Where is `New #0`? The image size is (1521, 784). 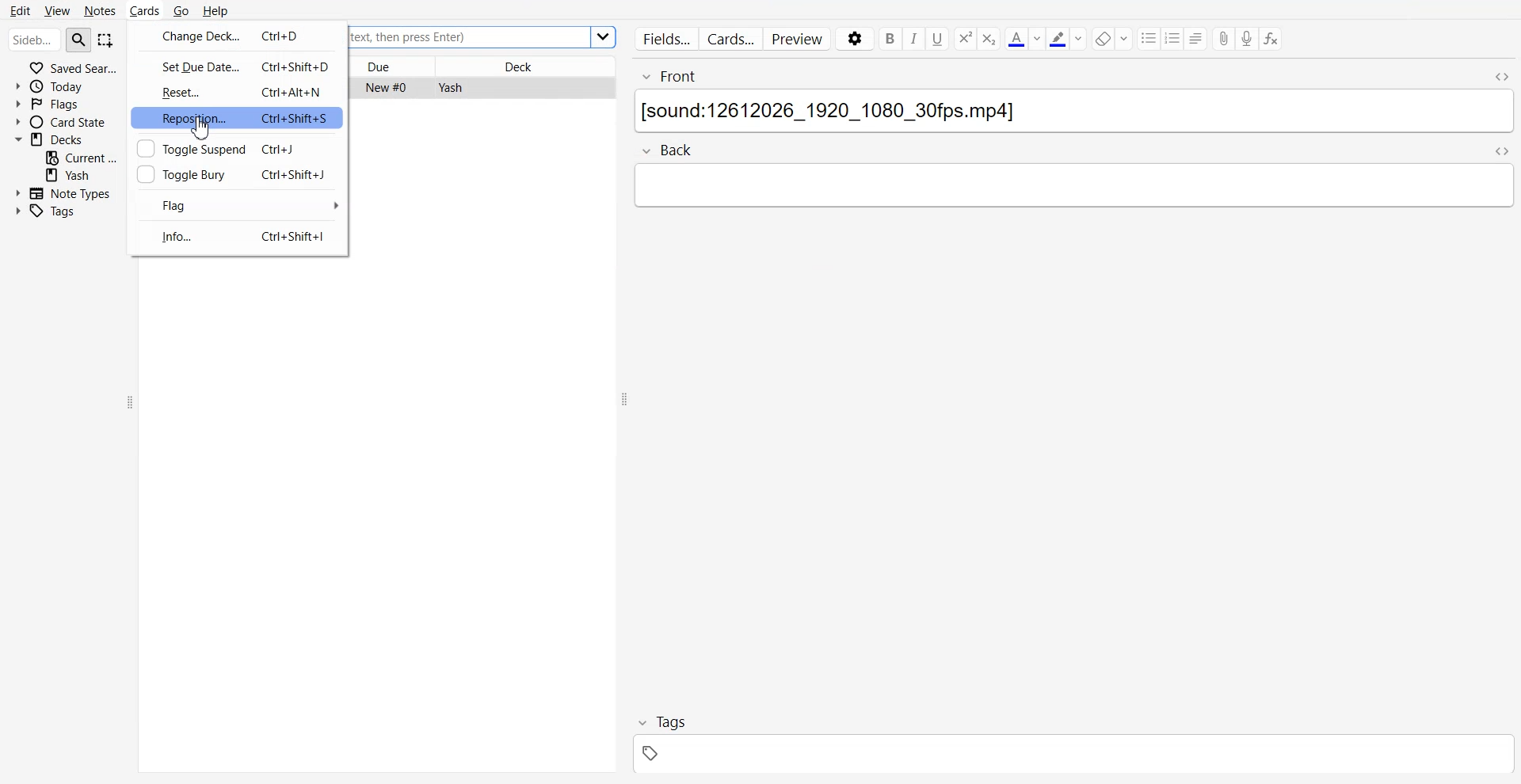 New #0 is located at coordinates (388, 87).